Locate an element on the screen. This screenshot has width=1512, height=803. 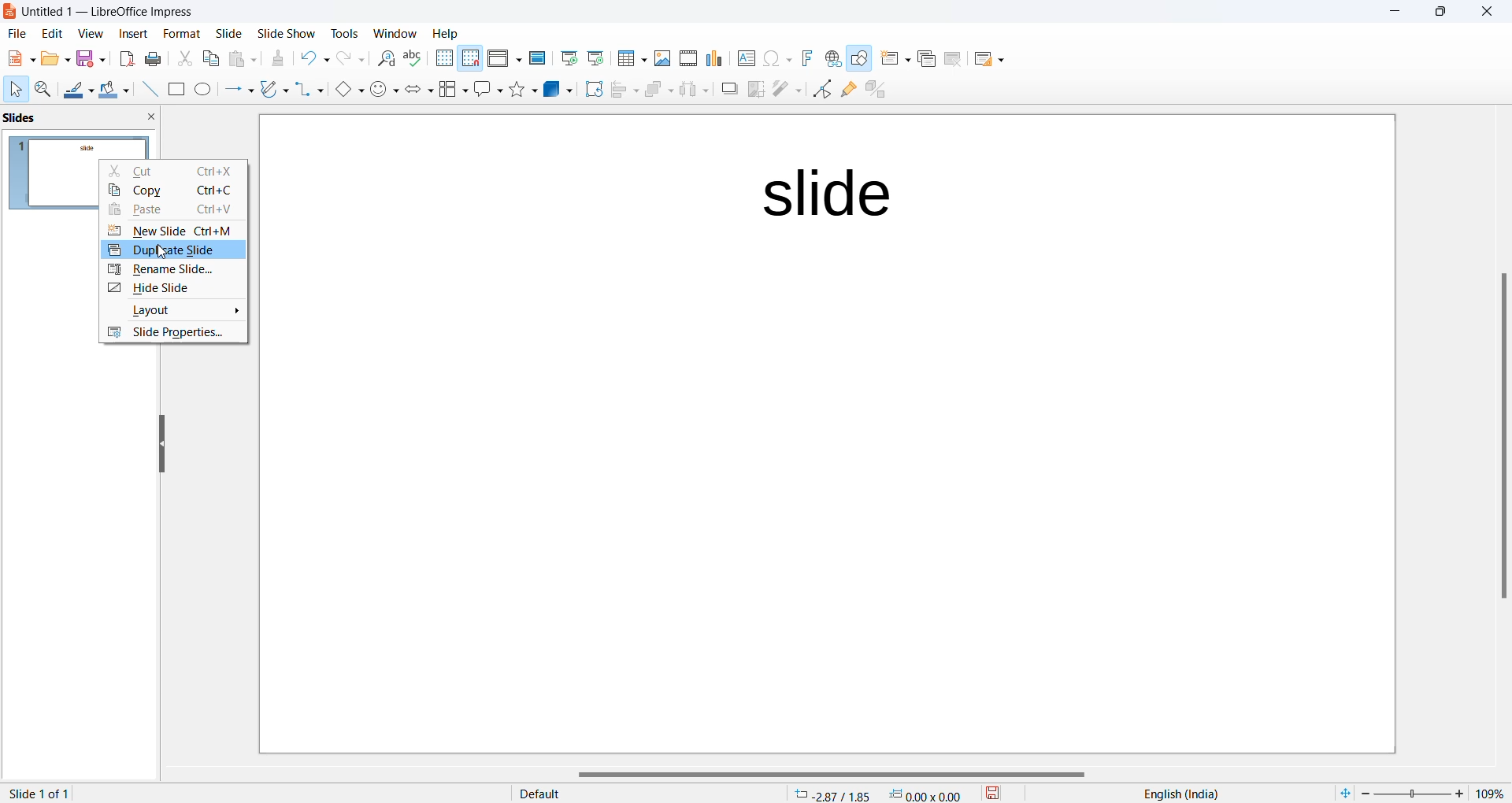
Undo is located at coordinates (315, 56).